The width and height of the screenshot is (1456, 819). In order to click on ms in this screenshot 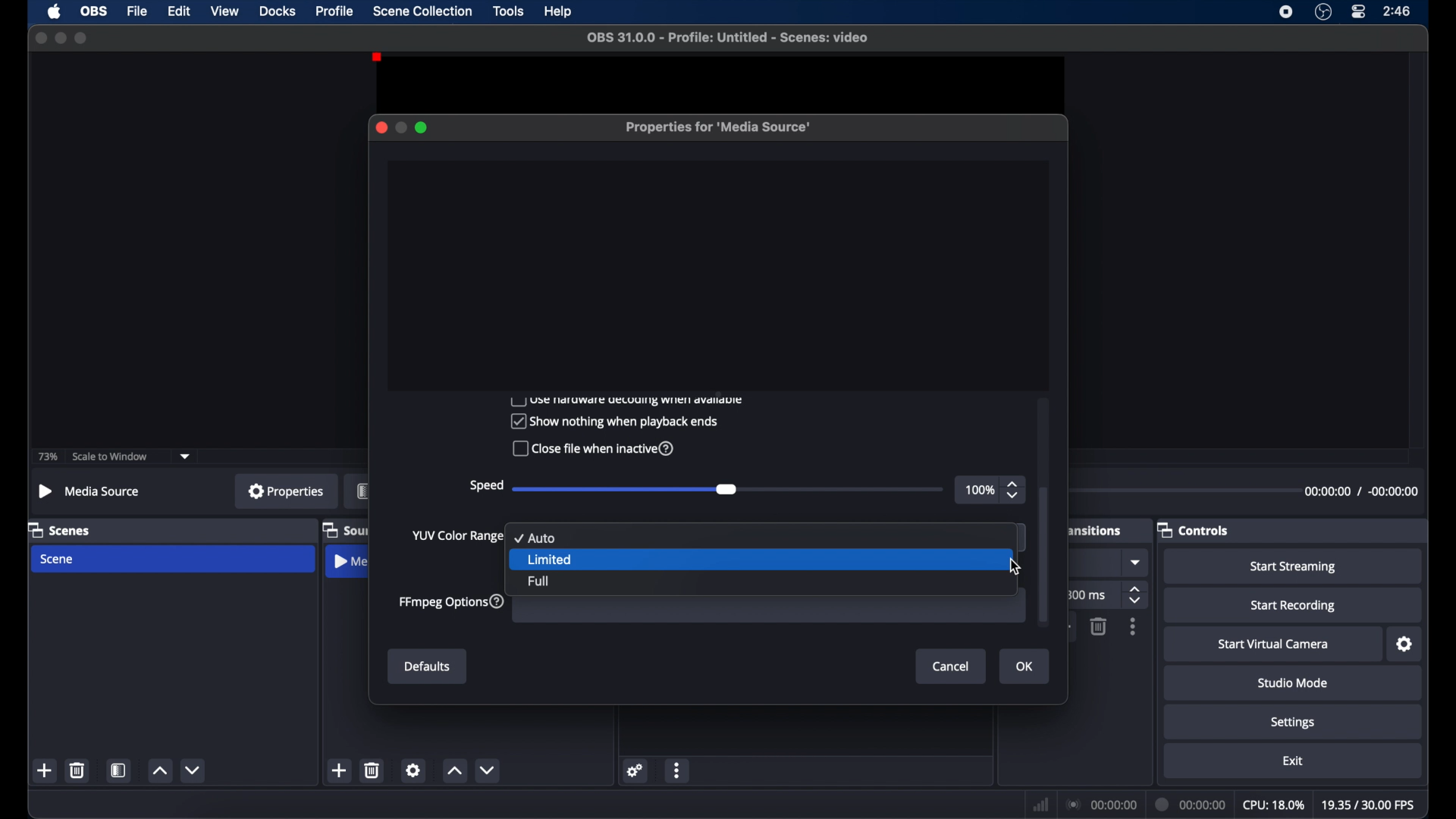, I will do `click(1091, 595)`.